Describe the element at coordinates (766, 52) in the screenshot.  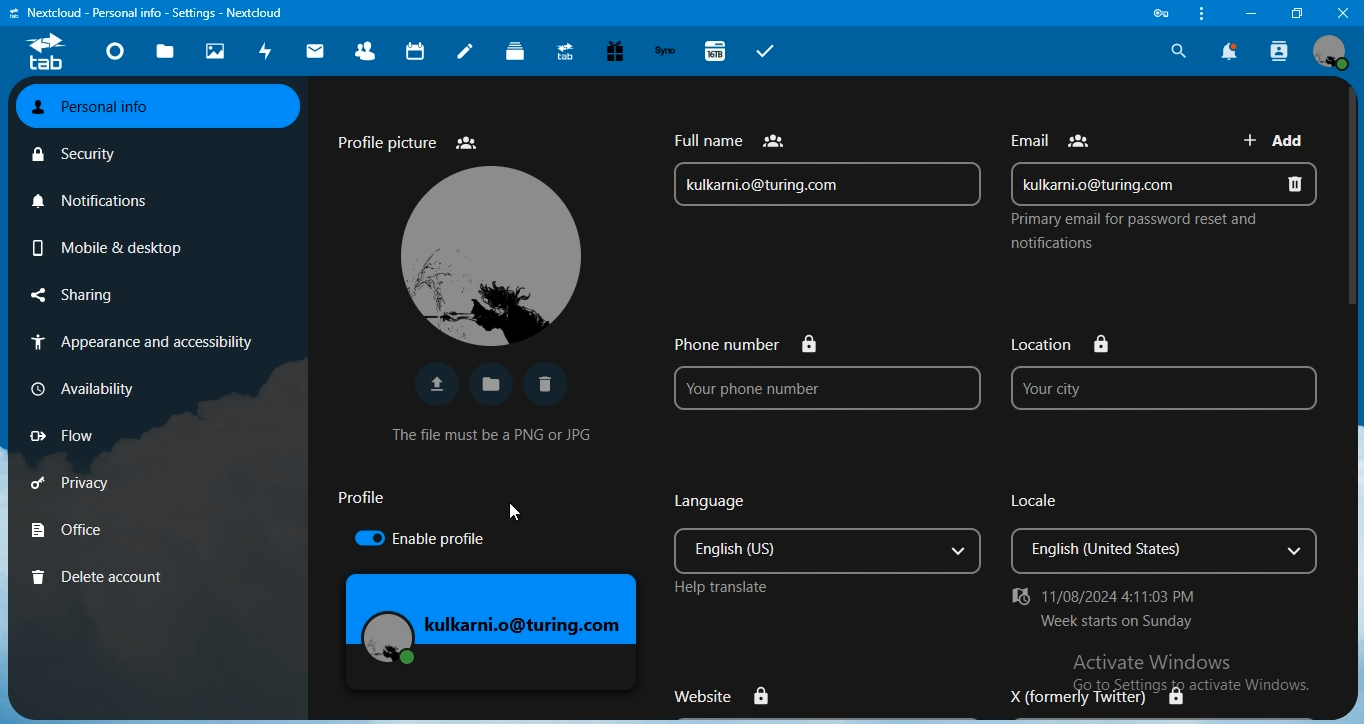
I see `tasks` at that location.